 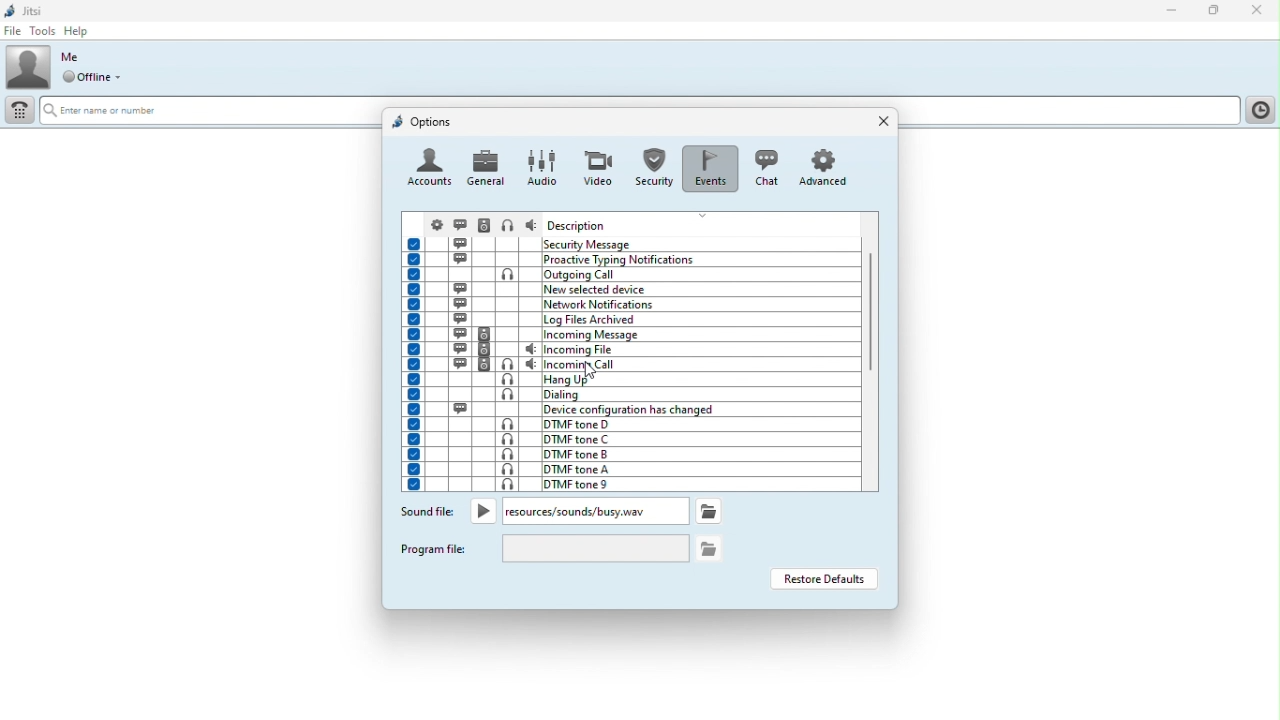 What do you see at coordinates (423, 121) in the screenshot?
I see `Options` at bounding box center [423, 121].